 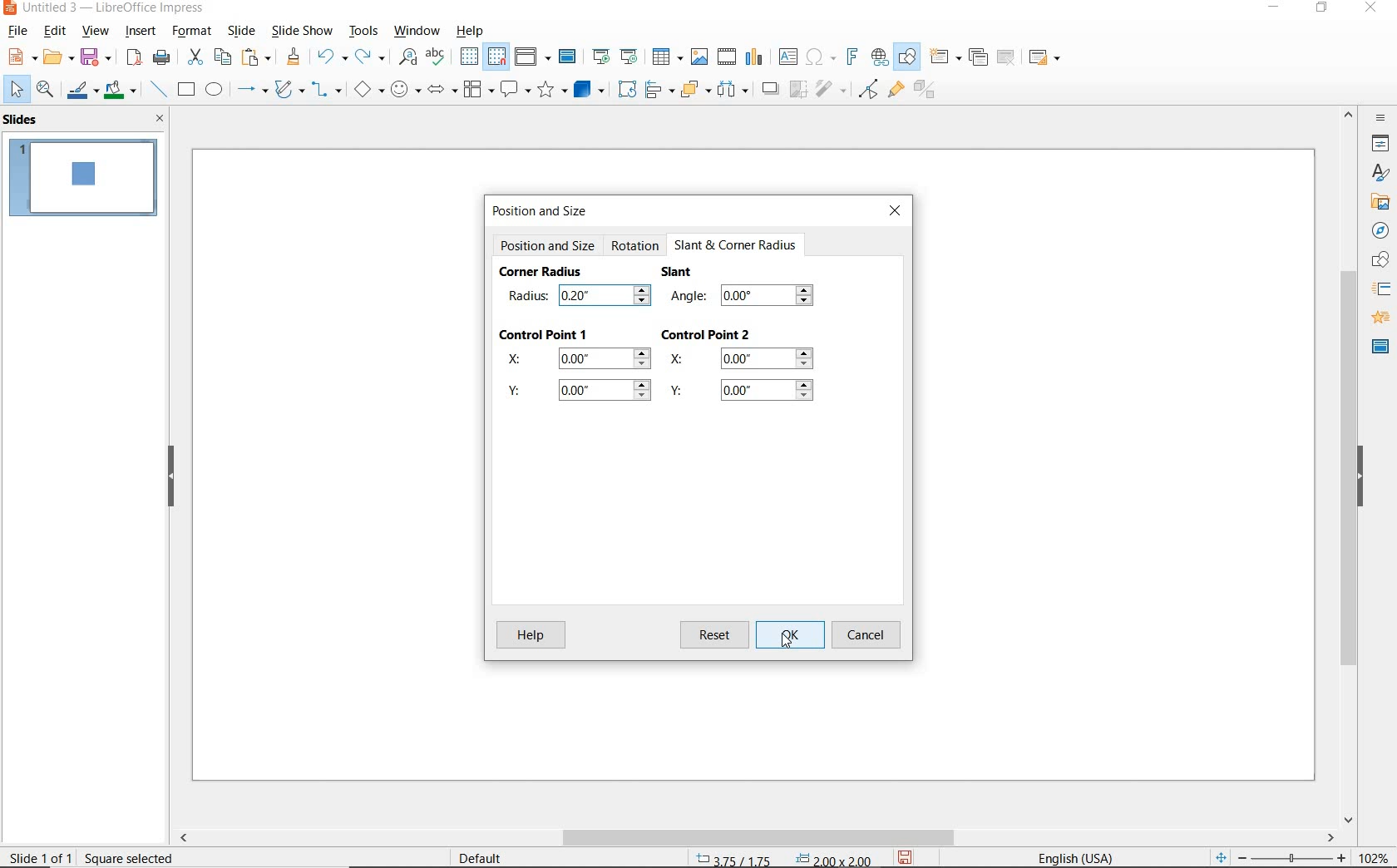 I want to click on display grid, so click(x=469, y=57).